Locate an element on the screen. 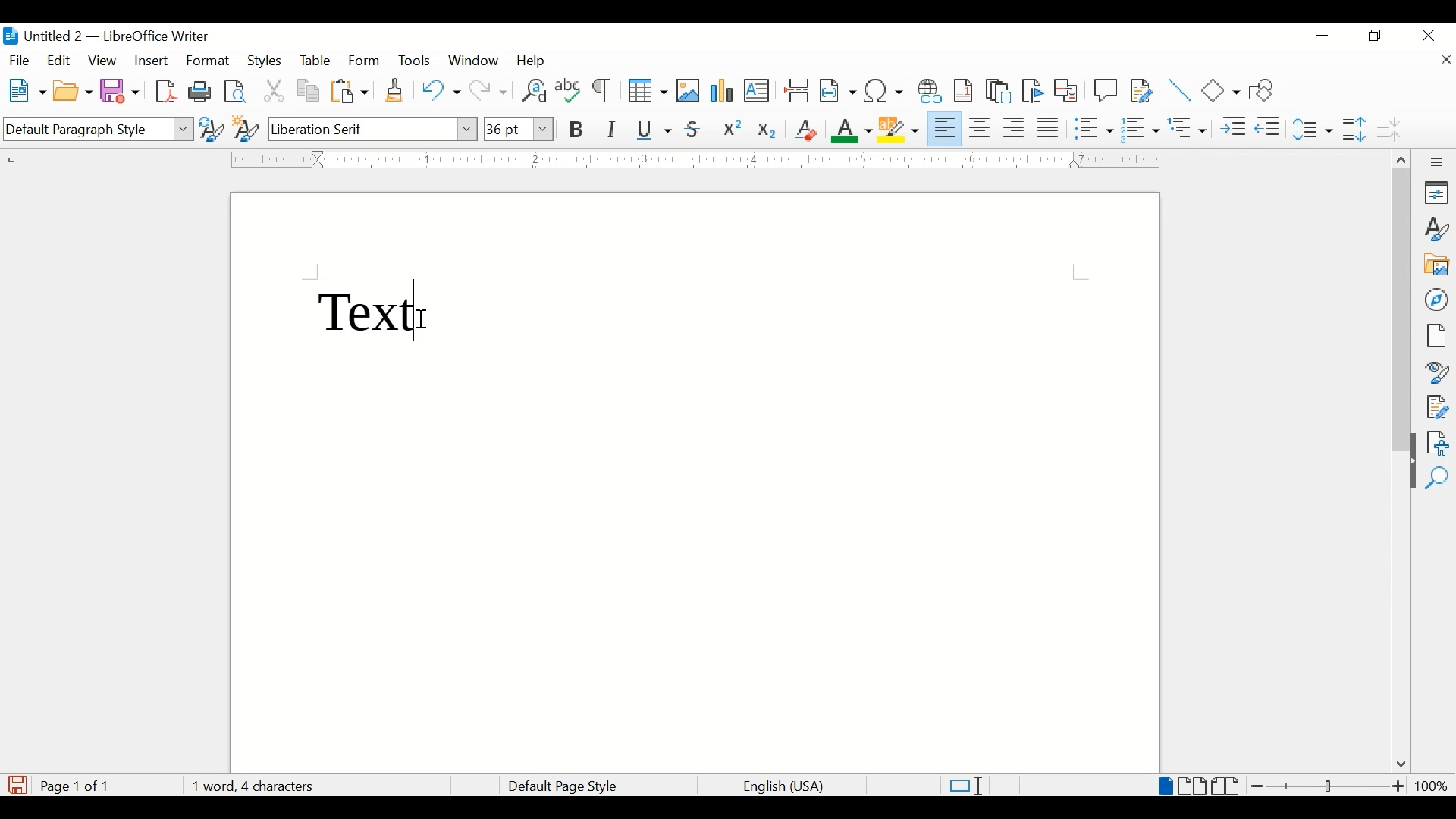 This screenshot has height=819, width=1456. insert is located at coordinates (150, 61).